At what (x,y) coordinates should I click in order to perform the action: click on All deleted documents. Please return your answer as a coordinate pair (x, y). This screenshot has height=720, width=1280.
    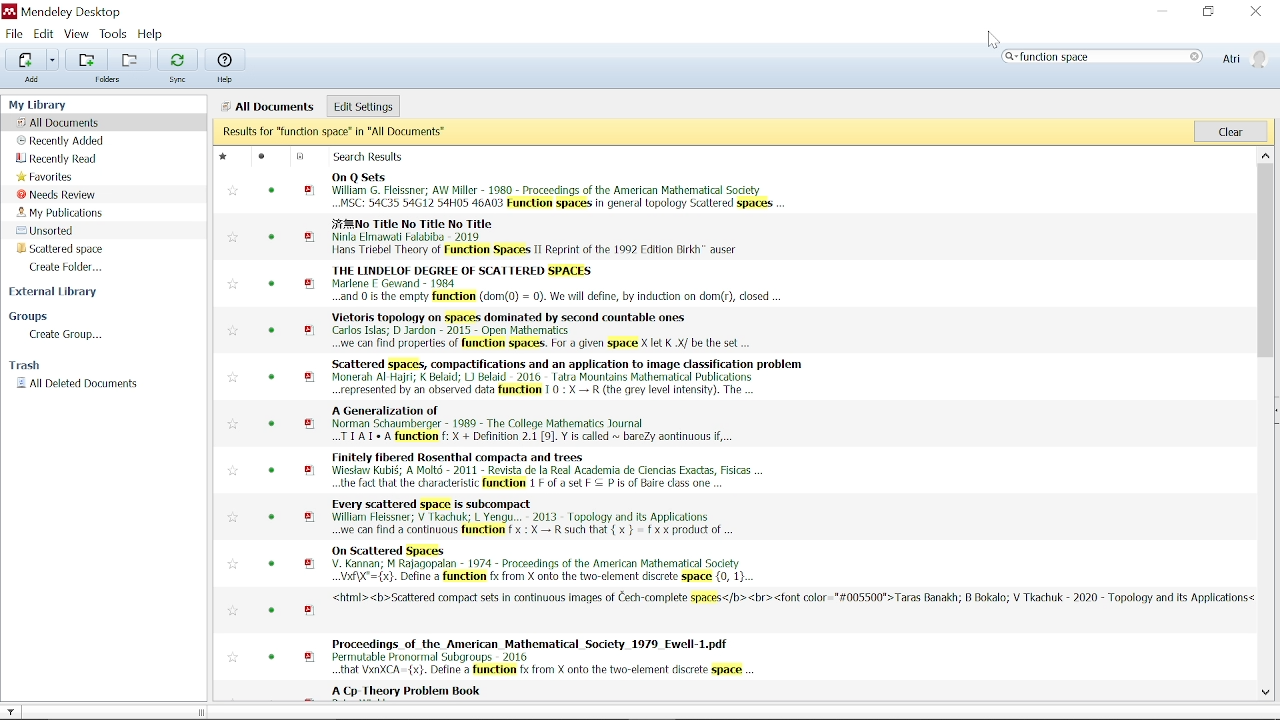
    Looking at the image, I should click on (90, 385).